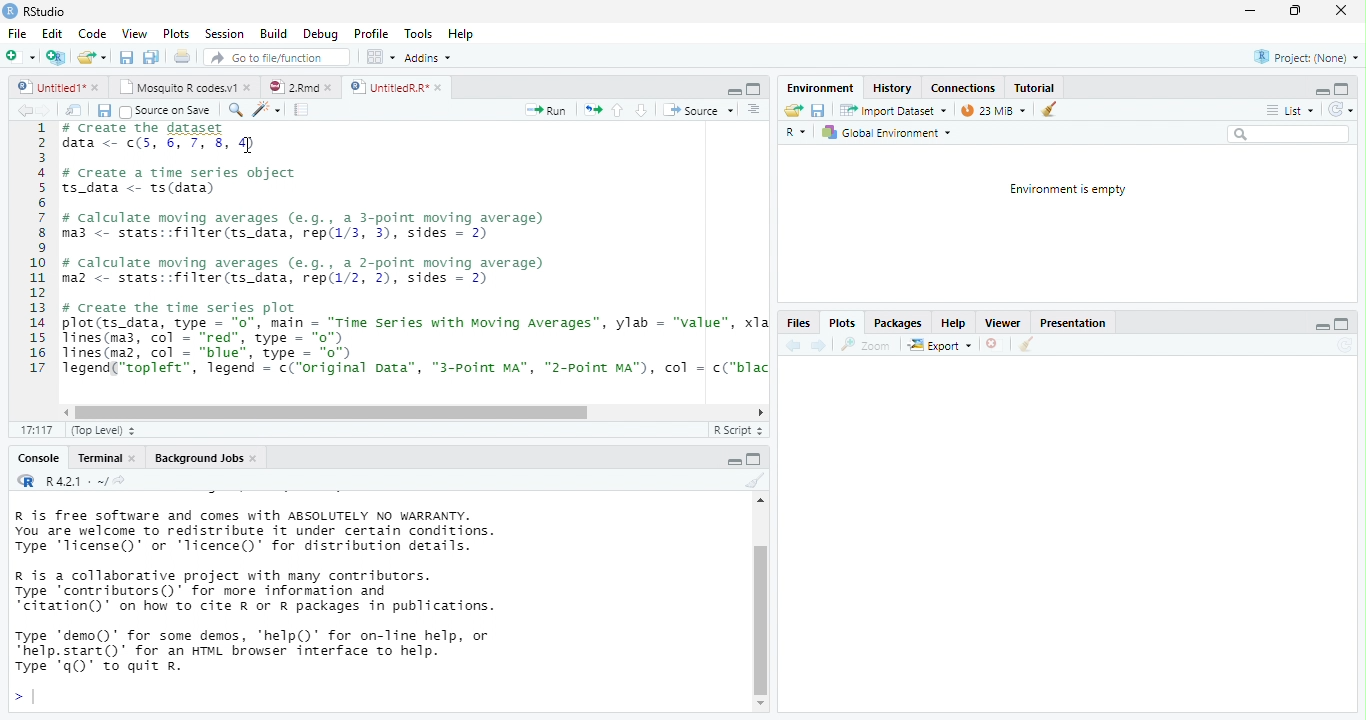 This screenshot has height=720, width=1366. I want to click on Session, so click(224, 33).